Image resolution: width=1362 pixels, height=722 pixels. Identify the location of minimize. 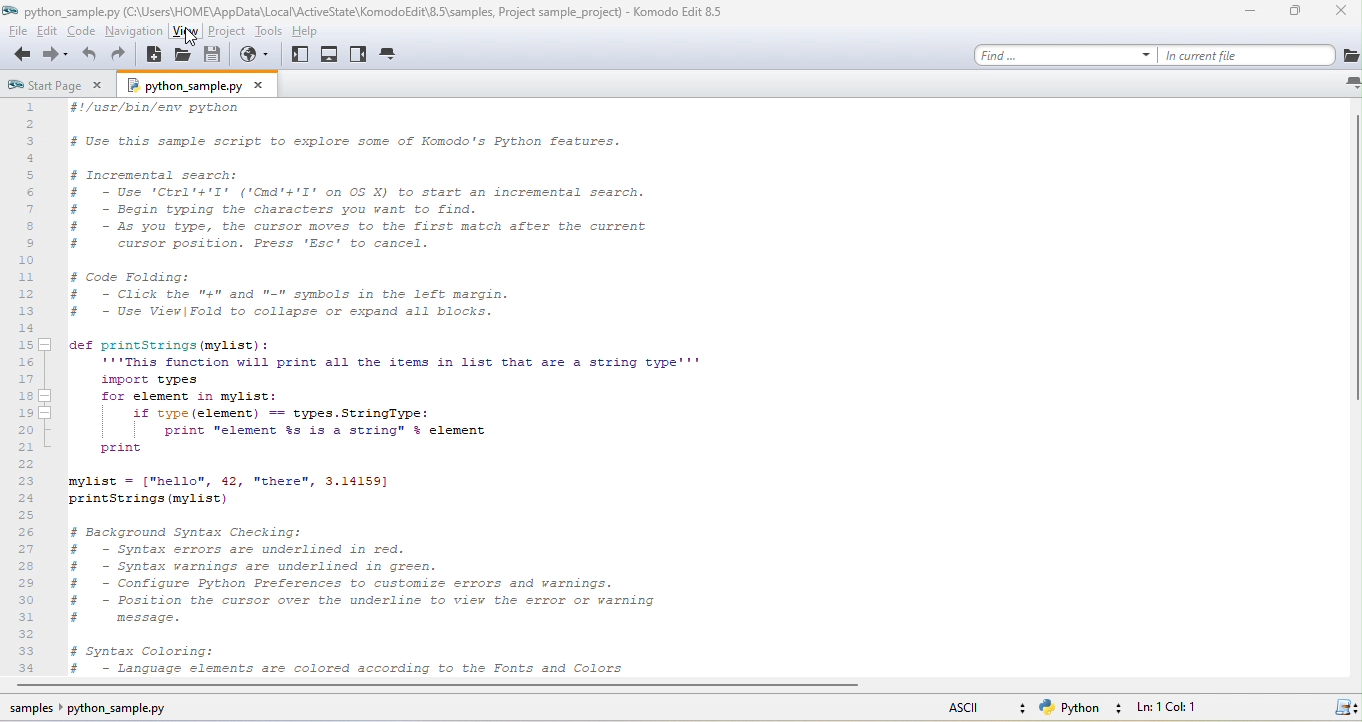
(1248, 12).